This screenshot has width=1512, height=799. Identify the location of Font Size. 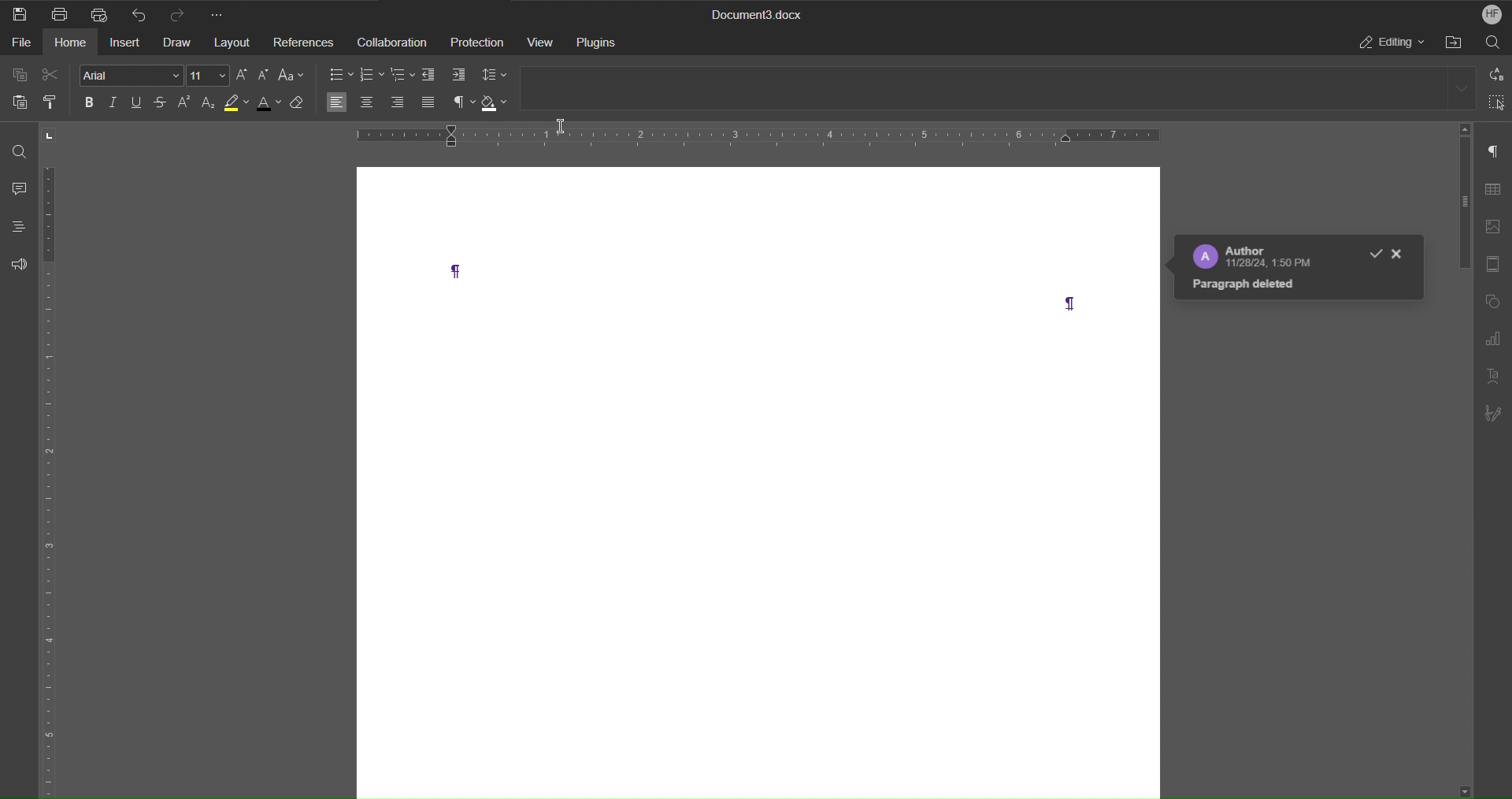
(209, 75).